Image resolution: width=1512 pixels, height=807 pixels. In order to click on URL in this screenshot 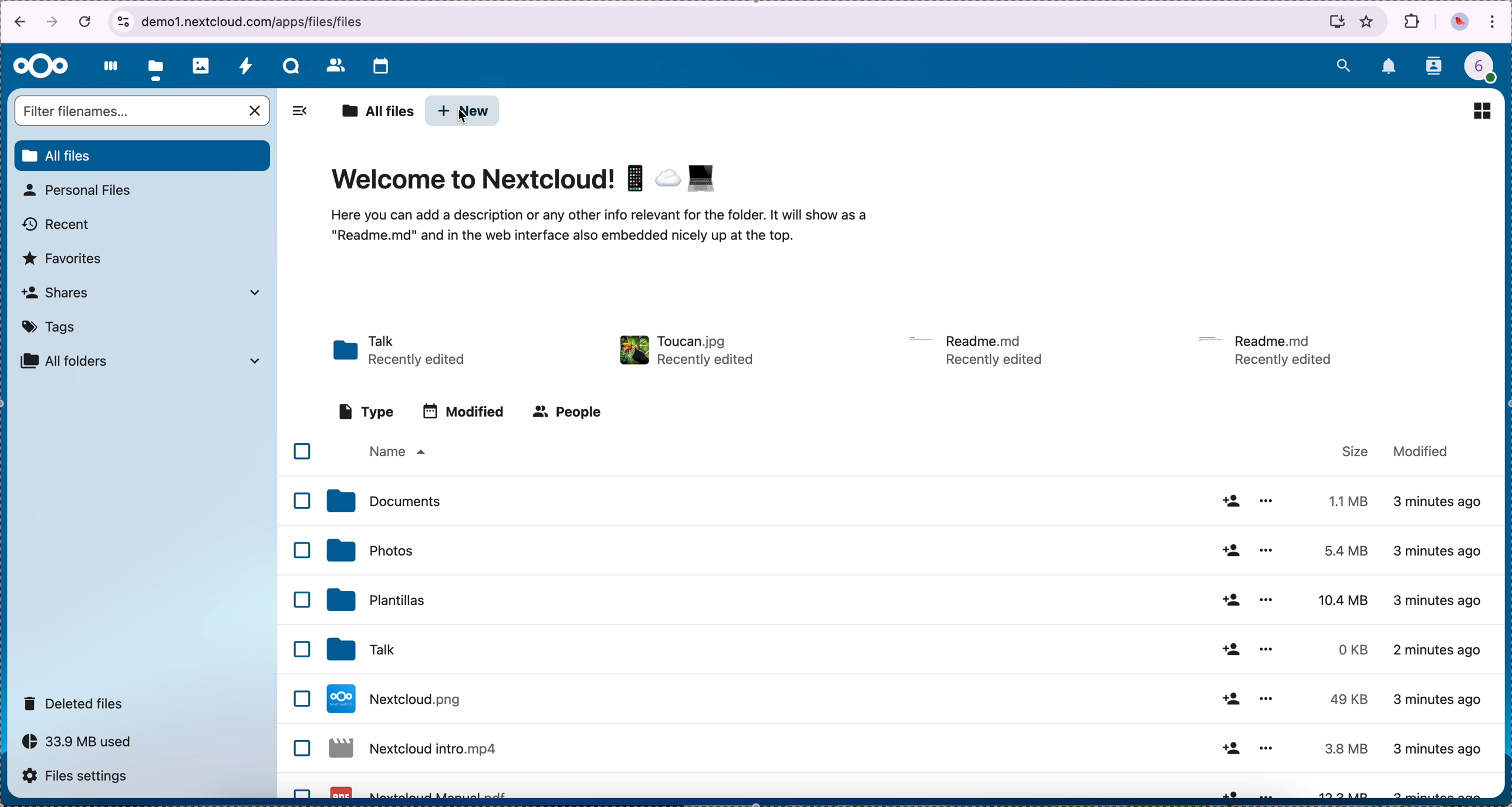, I will do `click(248, 21)`.